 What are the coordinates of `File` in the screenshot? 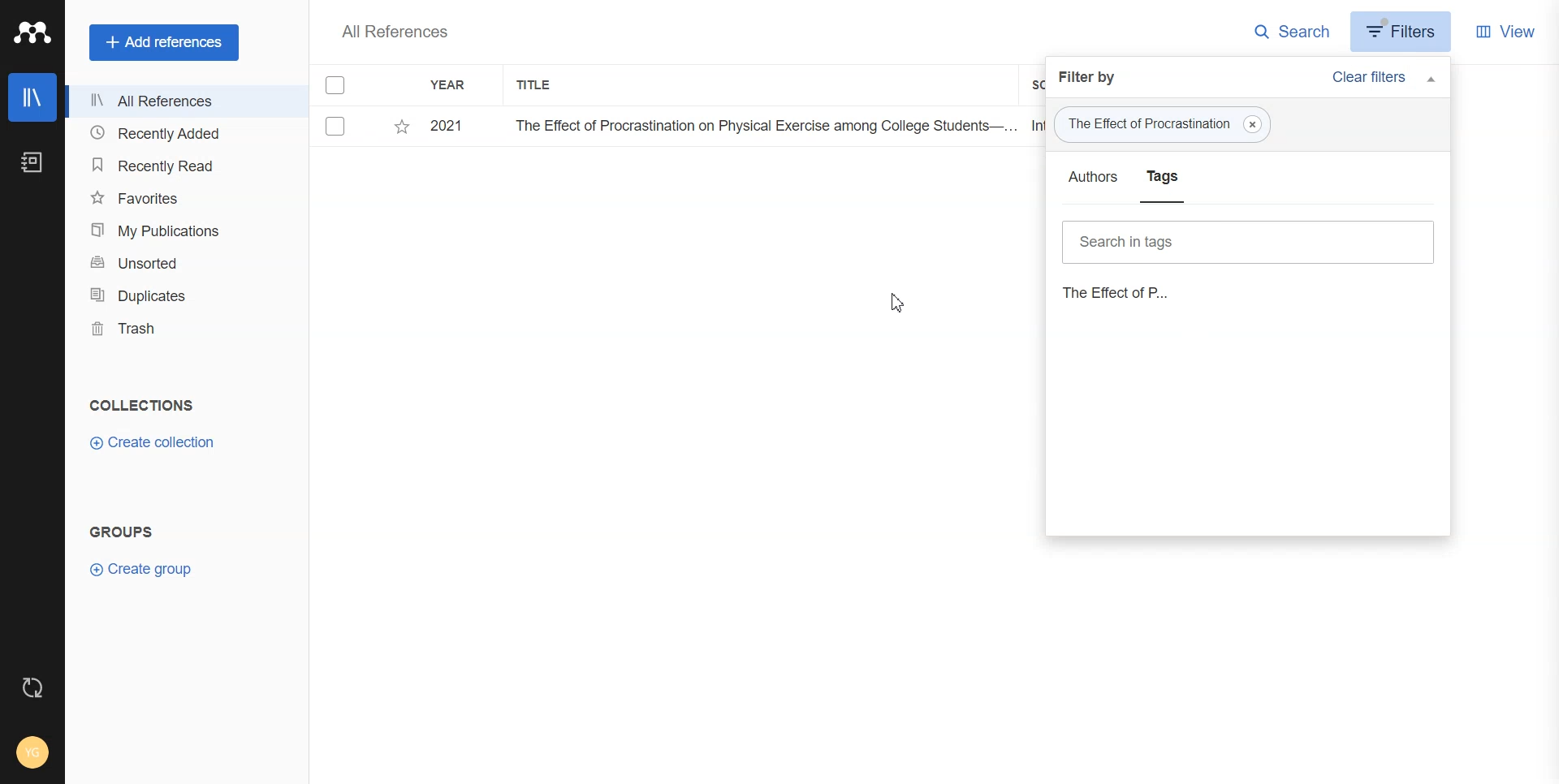 It's located at (680, 127).